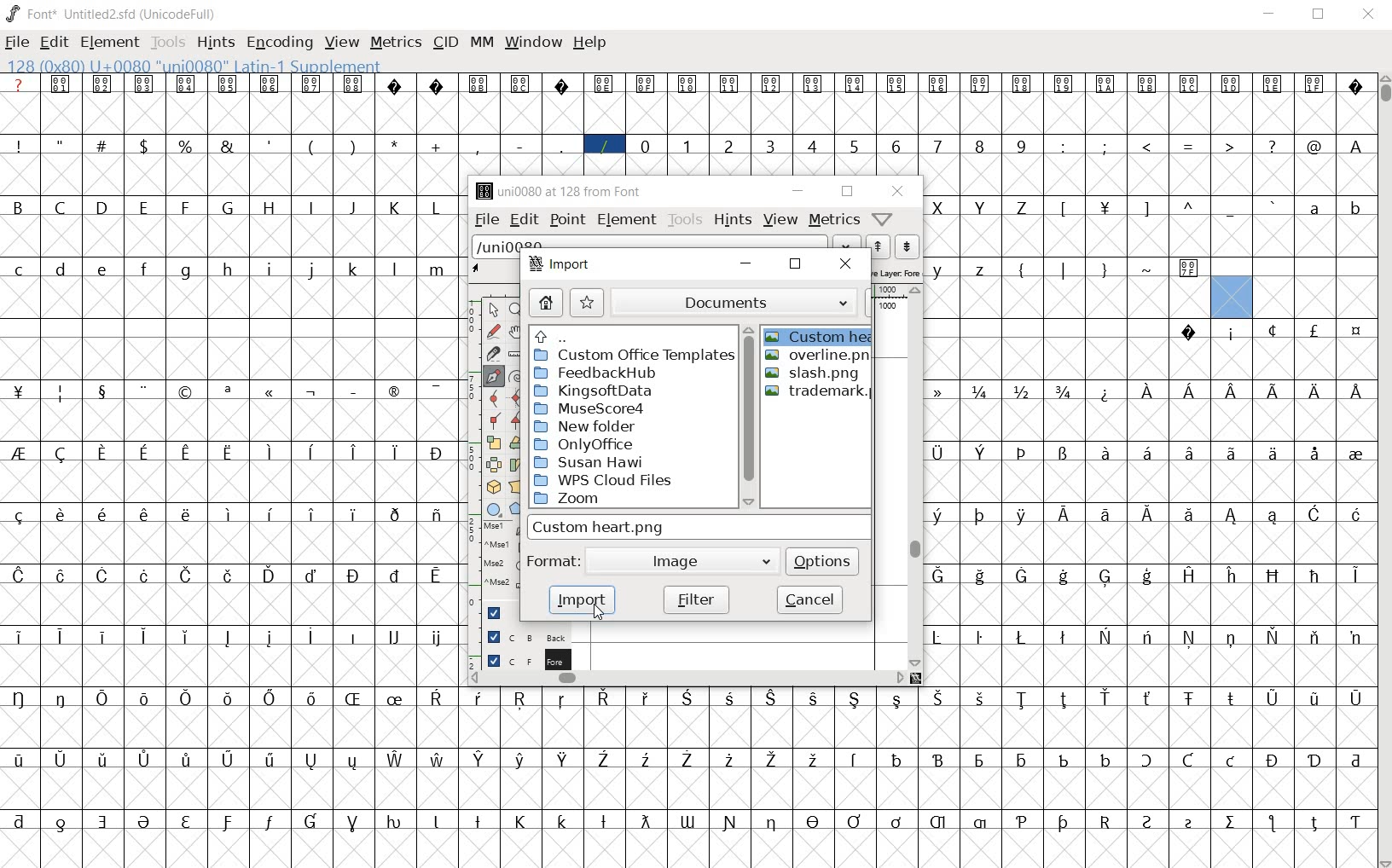 Image resolution: width=1392 pixels, height=868 pixels. I want to click on glyph, so click(1189, 391).